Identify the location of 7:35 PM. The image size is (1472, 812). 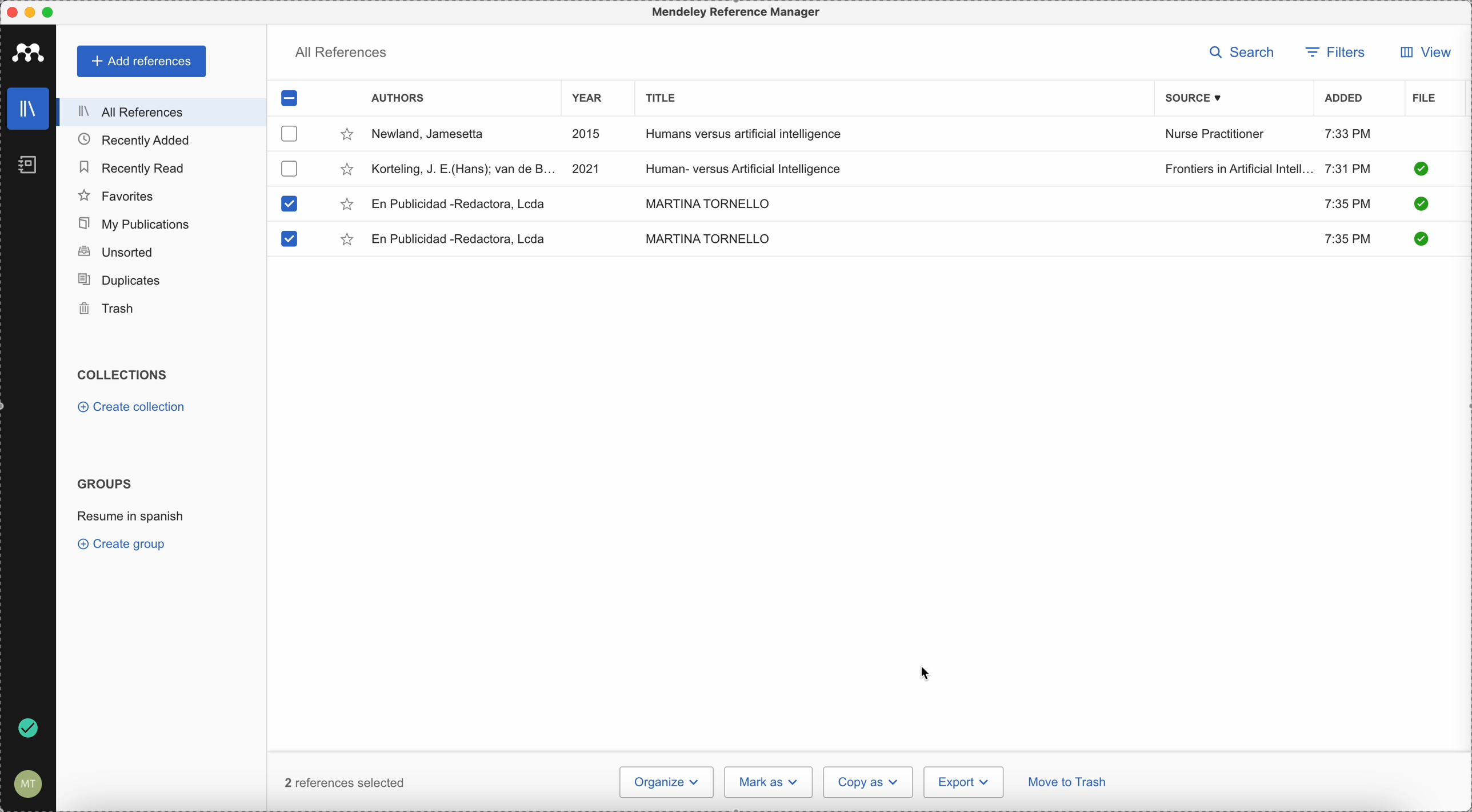
(1350, 240).